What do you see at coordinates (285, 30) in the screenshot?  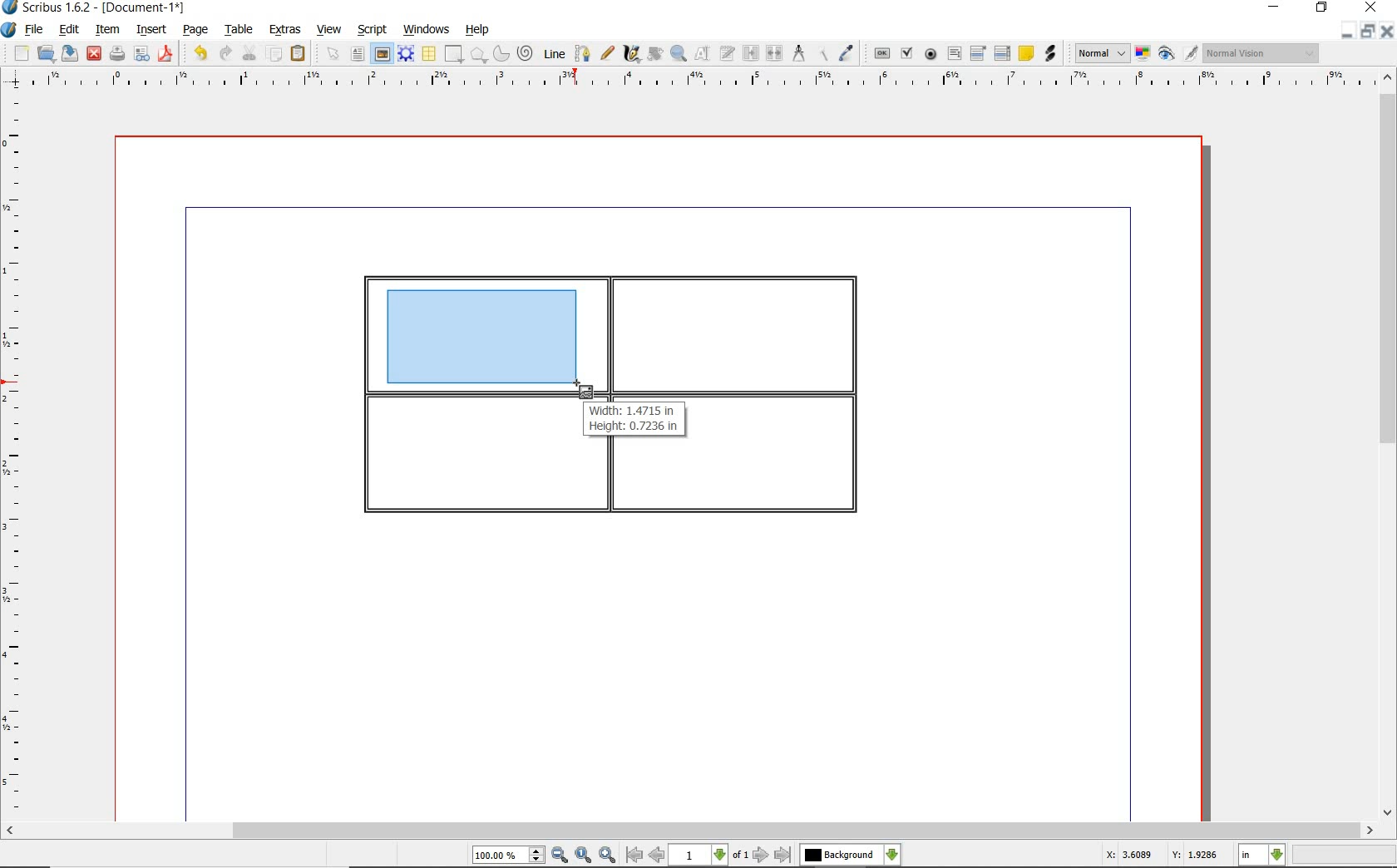 I see `extras` at bounding box center [285, 30].